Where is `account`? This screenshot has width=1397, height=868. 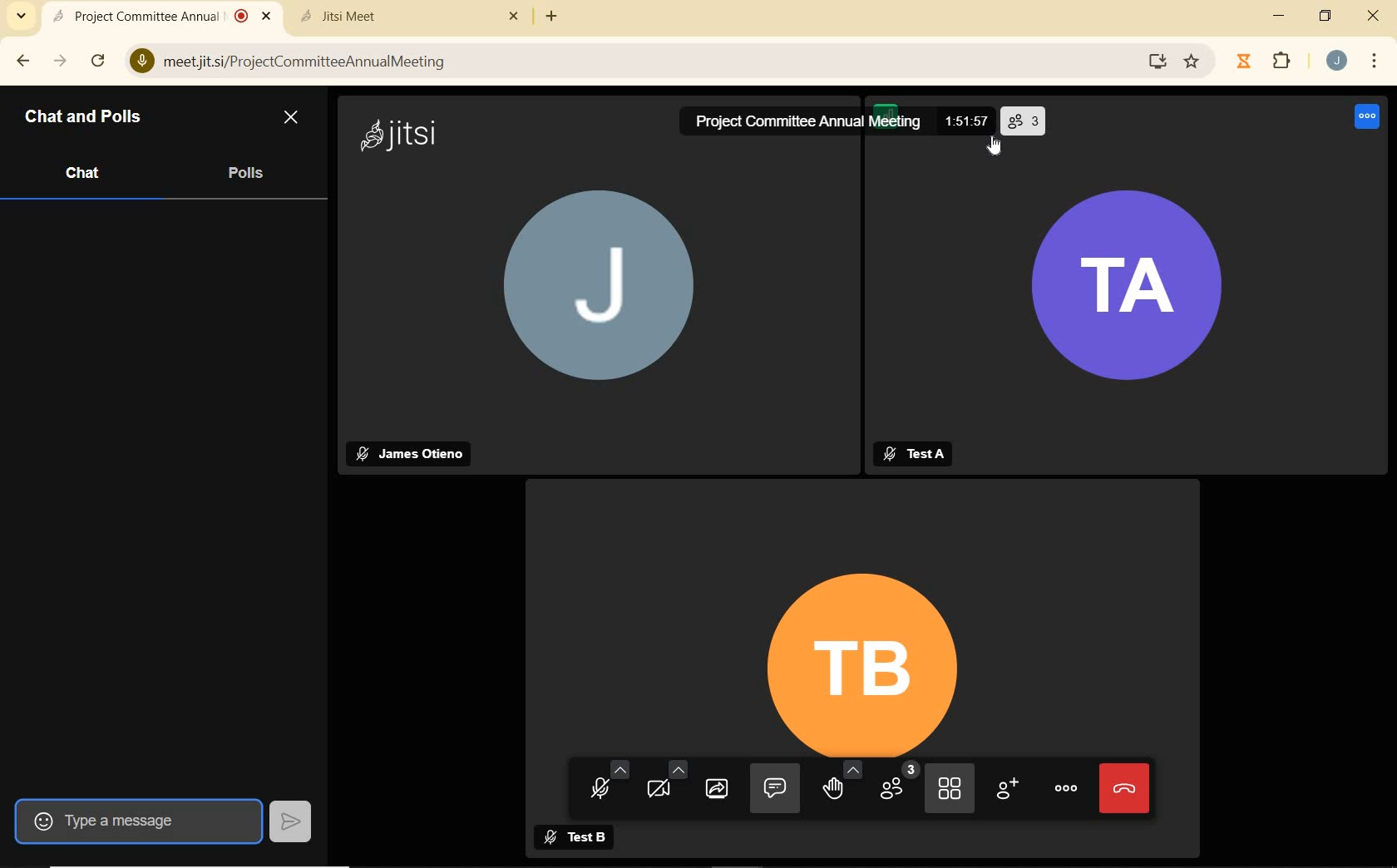 account is located at coordinates (1333, 61).